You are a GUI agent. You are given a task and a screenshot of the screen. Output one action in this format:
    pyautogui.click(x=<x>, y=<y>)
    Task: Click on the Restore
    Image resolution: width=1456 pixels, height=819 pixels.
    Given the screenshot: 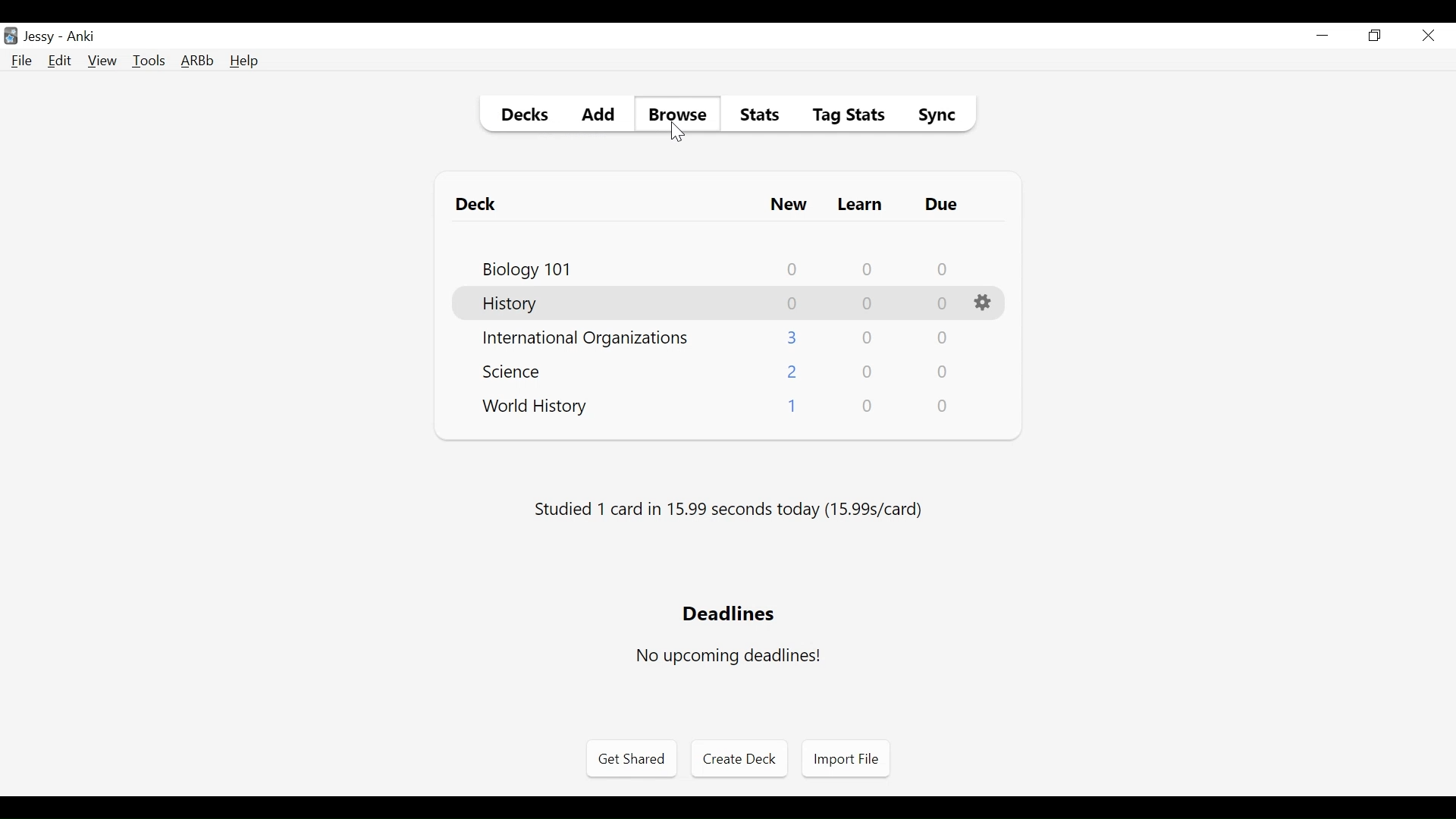 What is the action you would take?
    pyautogui.click(x=1377, y=36)
    